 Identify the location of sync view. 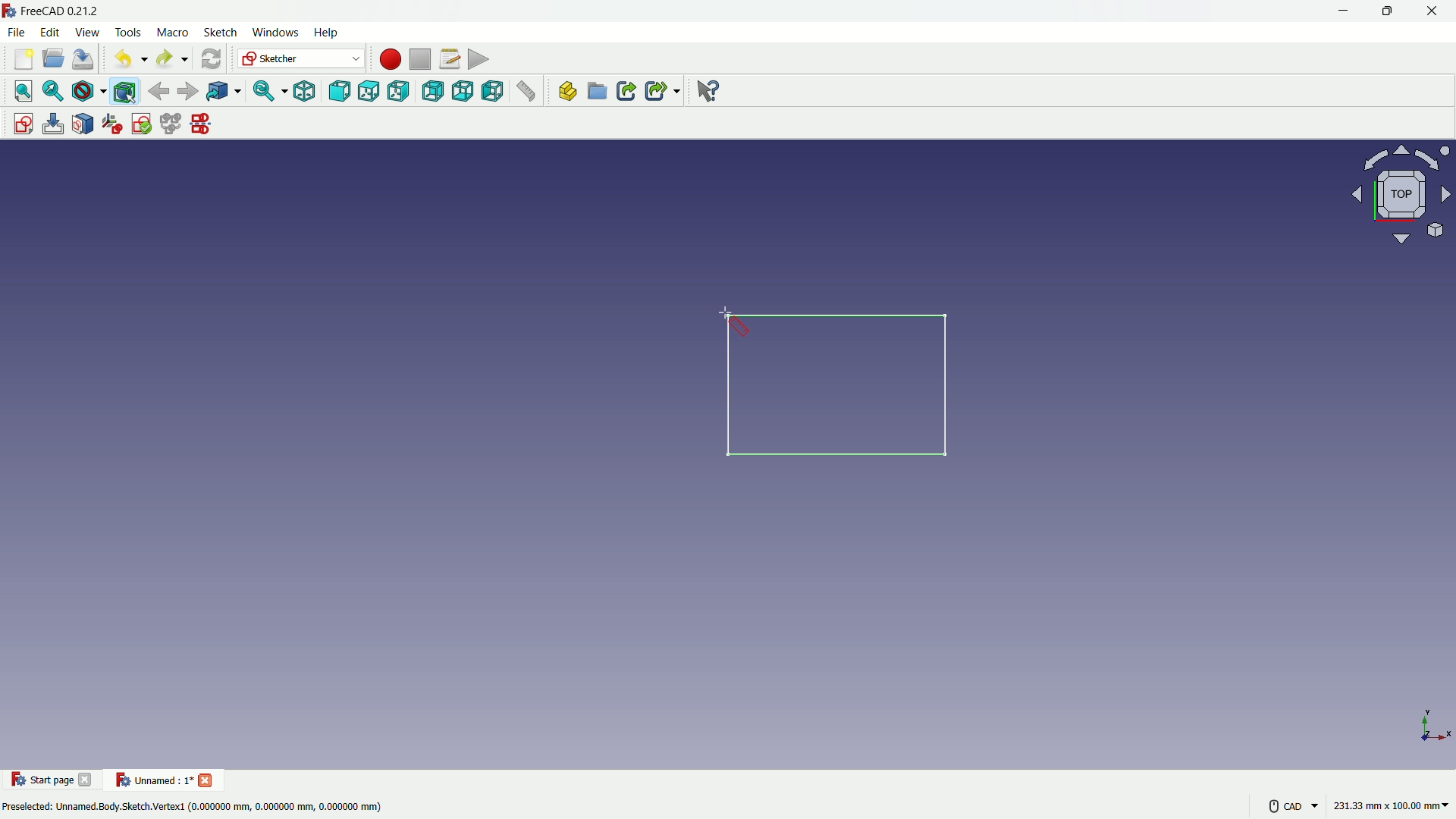
(265, 92).